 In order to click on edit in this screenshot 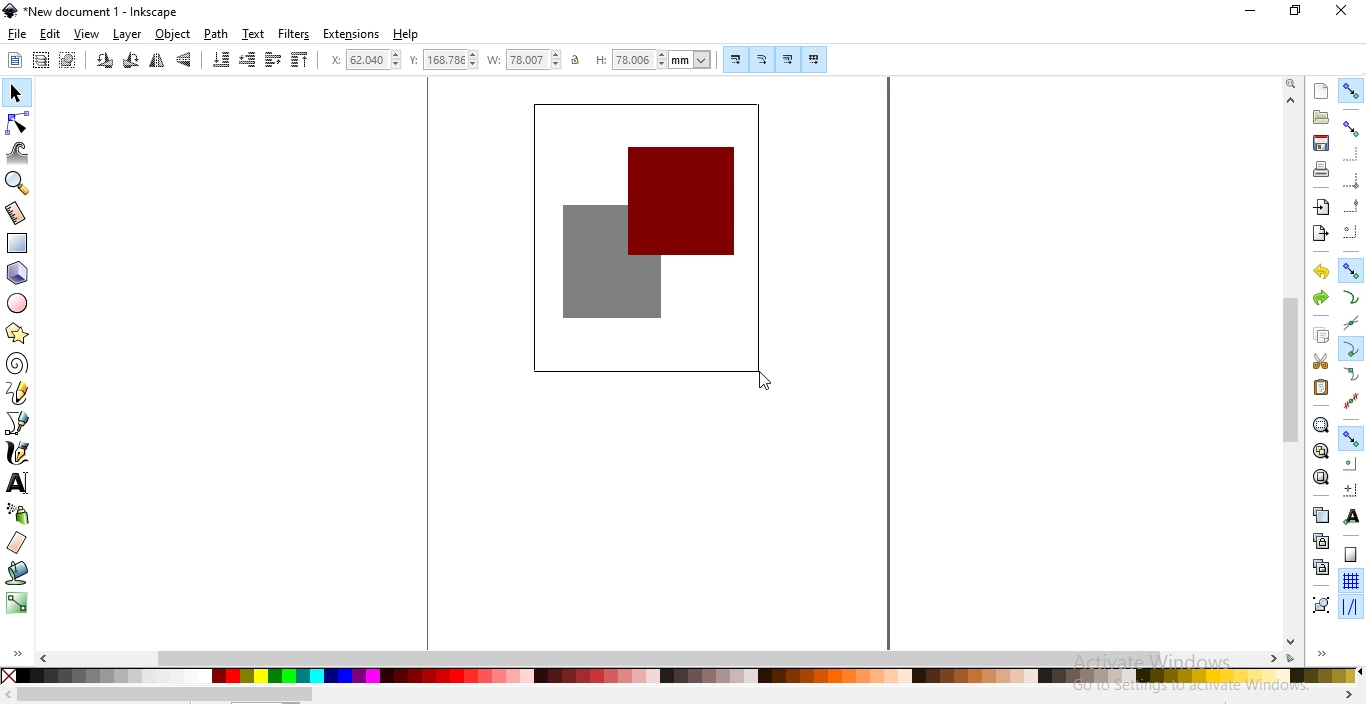, I will do `click(49, 34)`.